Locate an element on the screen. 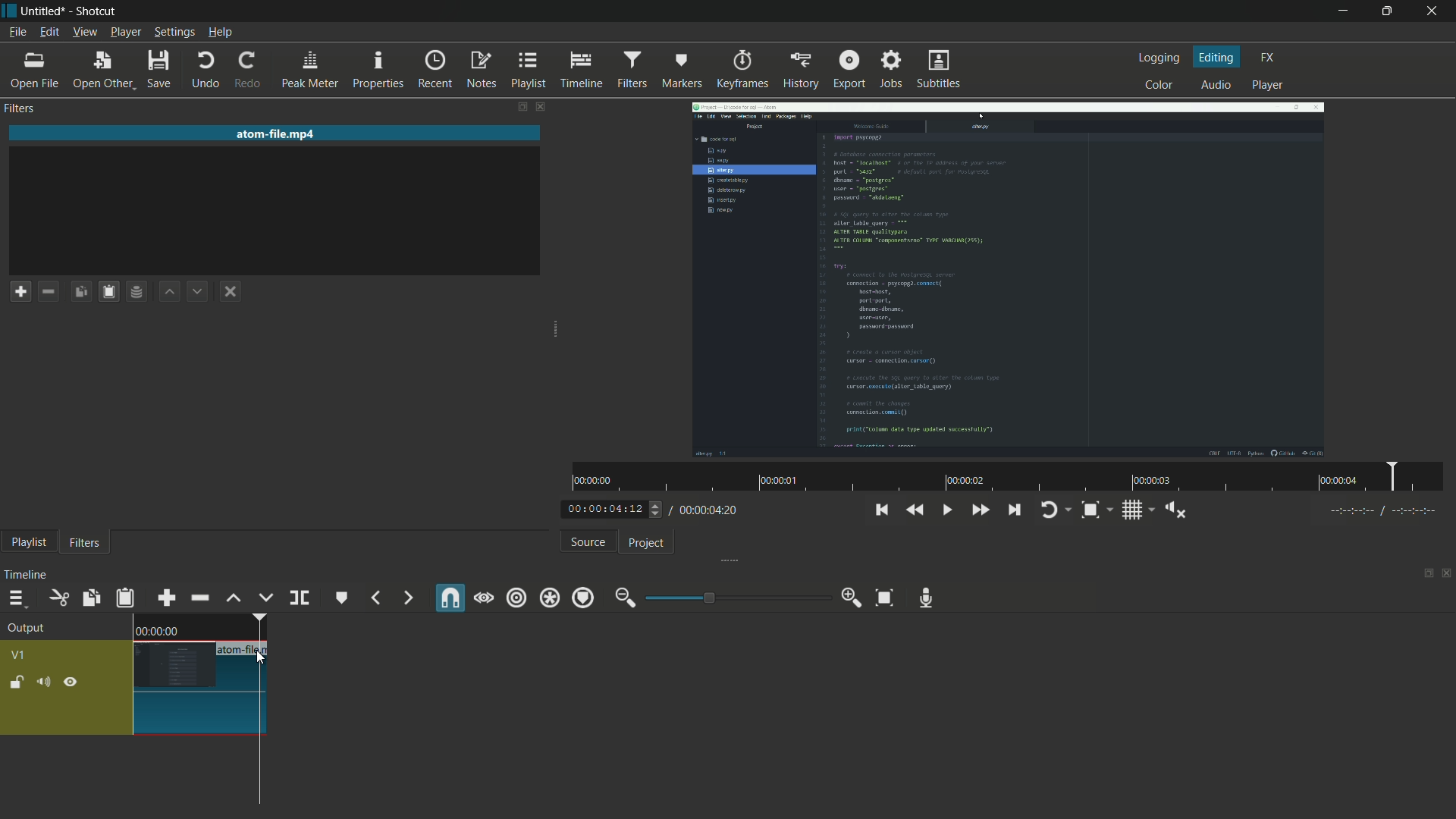  history is located at coordinates (800, 72).